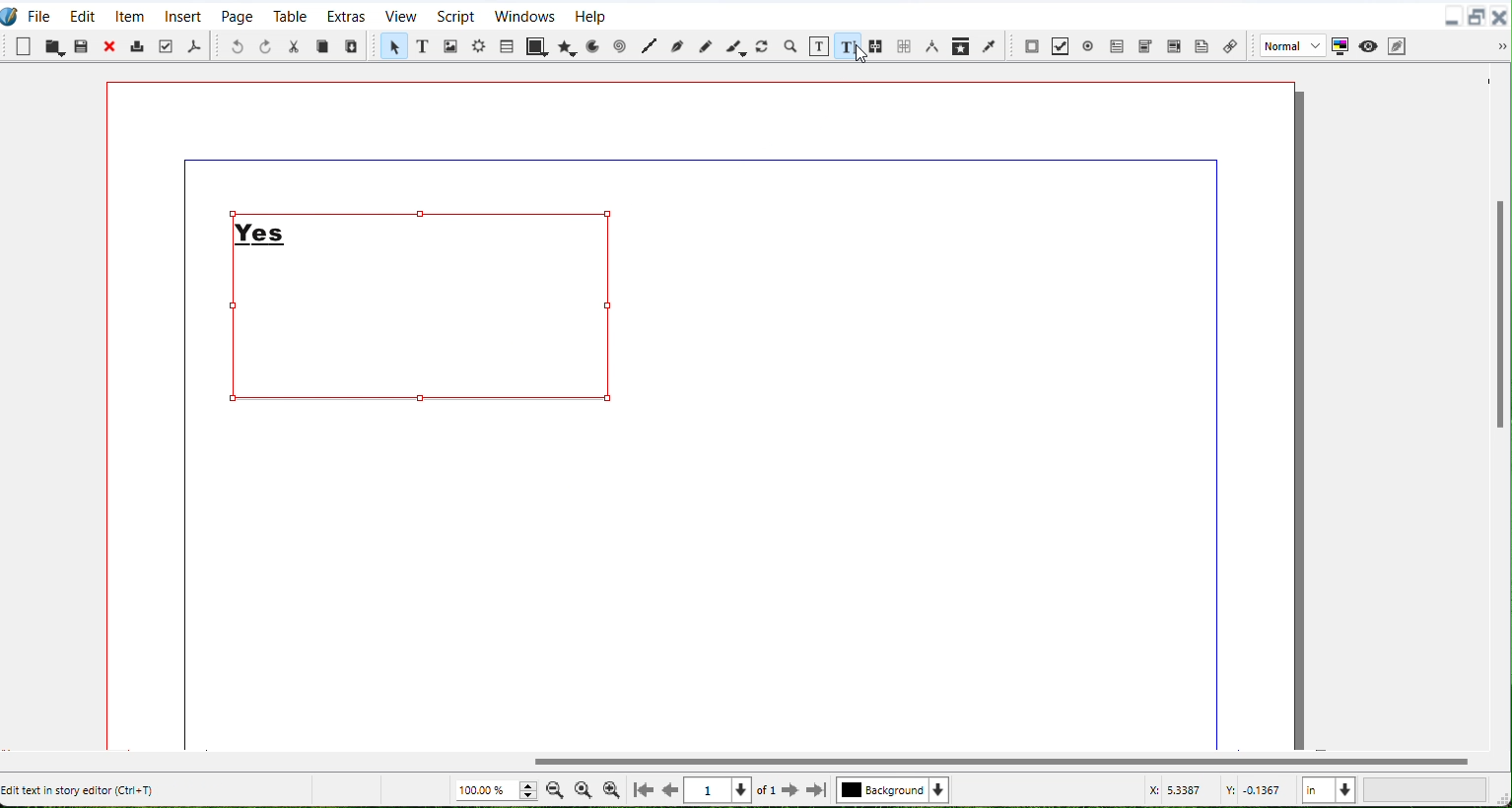  What do you see at coordinates (265, 46) in the screenshot?
I see `Redo` at bounding box center [265, 46].